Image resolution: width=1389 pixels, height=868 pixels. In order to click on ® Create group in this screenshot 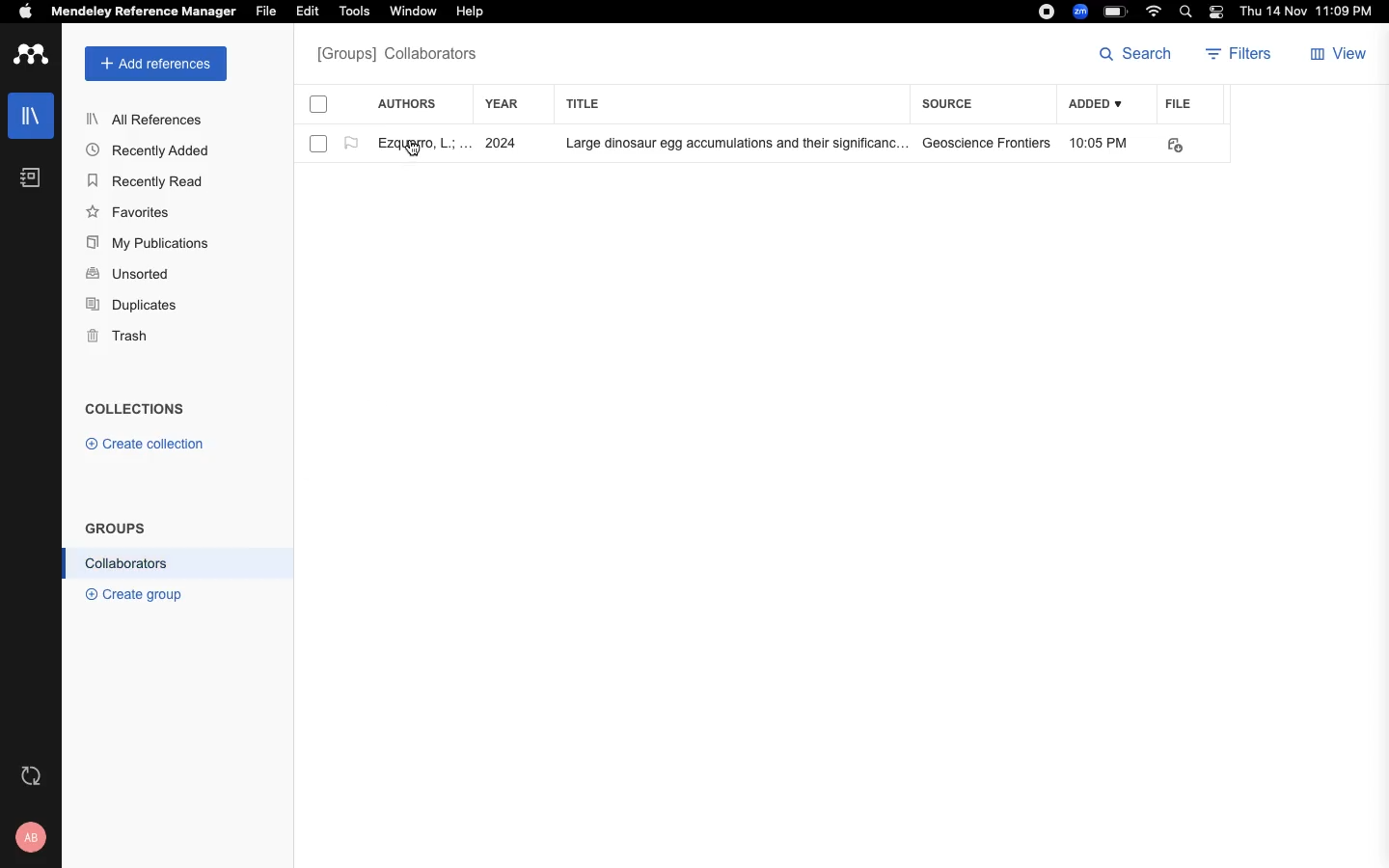, I will do `click(130, 593)`.